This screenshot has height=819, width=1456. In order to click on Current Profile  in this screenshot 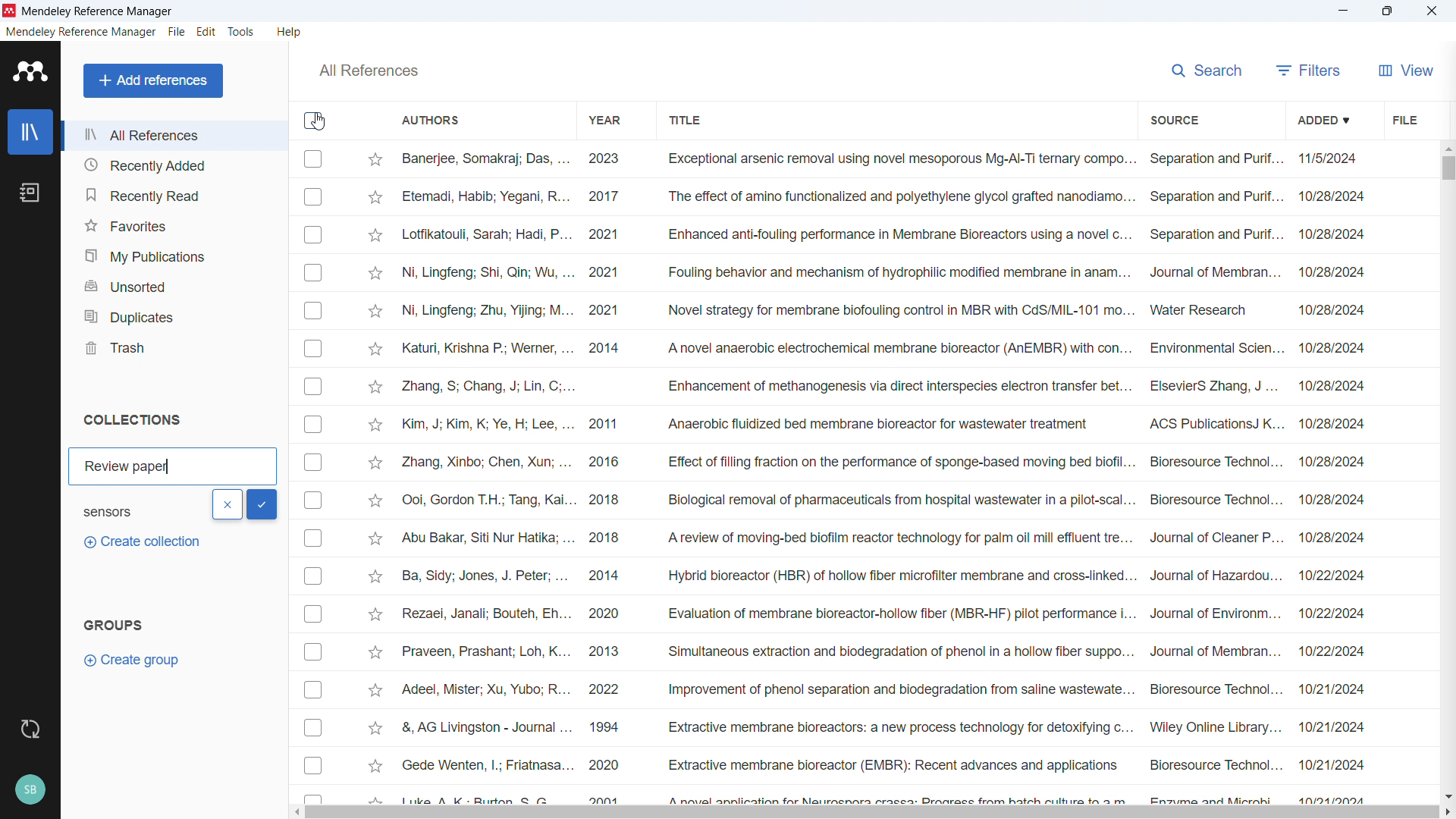, I will do `click(31, 790)`.